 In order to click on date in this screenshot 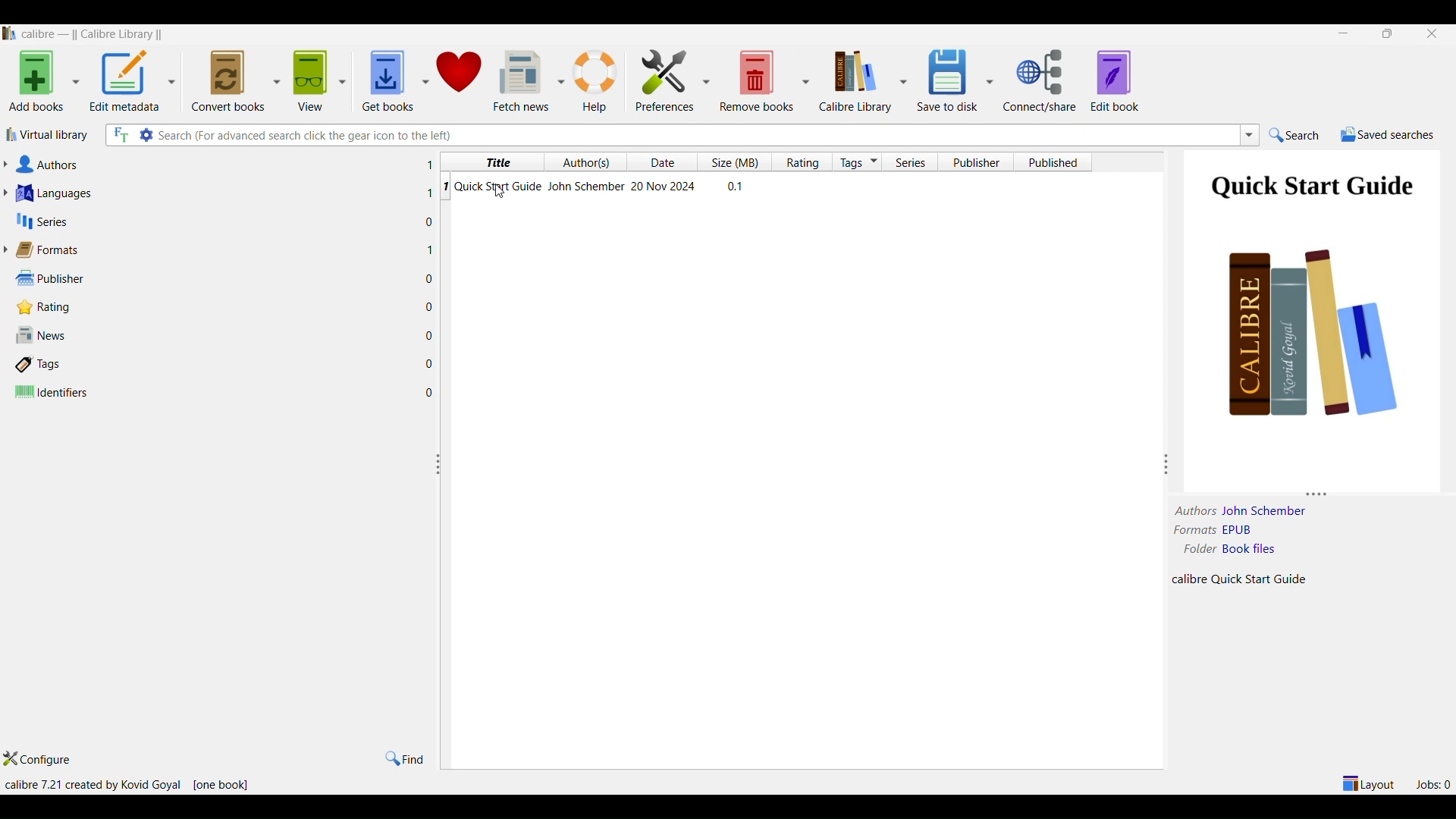, I will do `click(668, 162)`.